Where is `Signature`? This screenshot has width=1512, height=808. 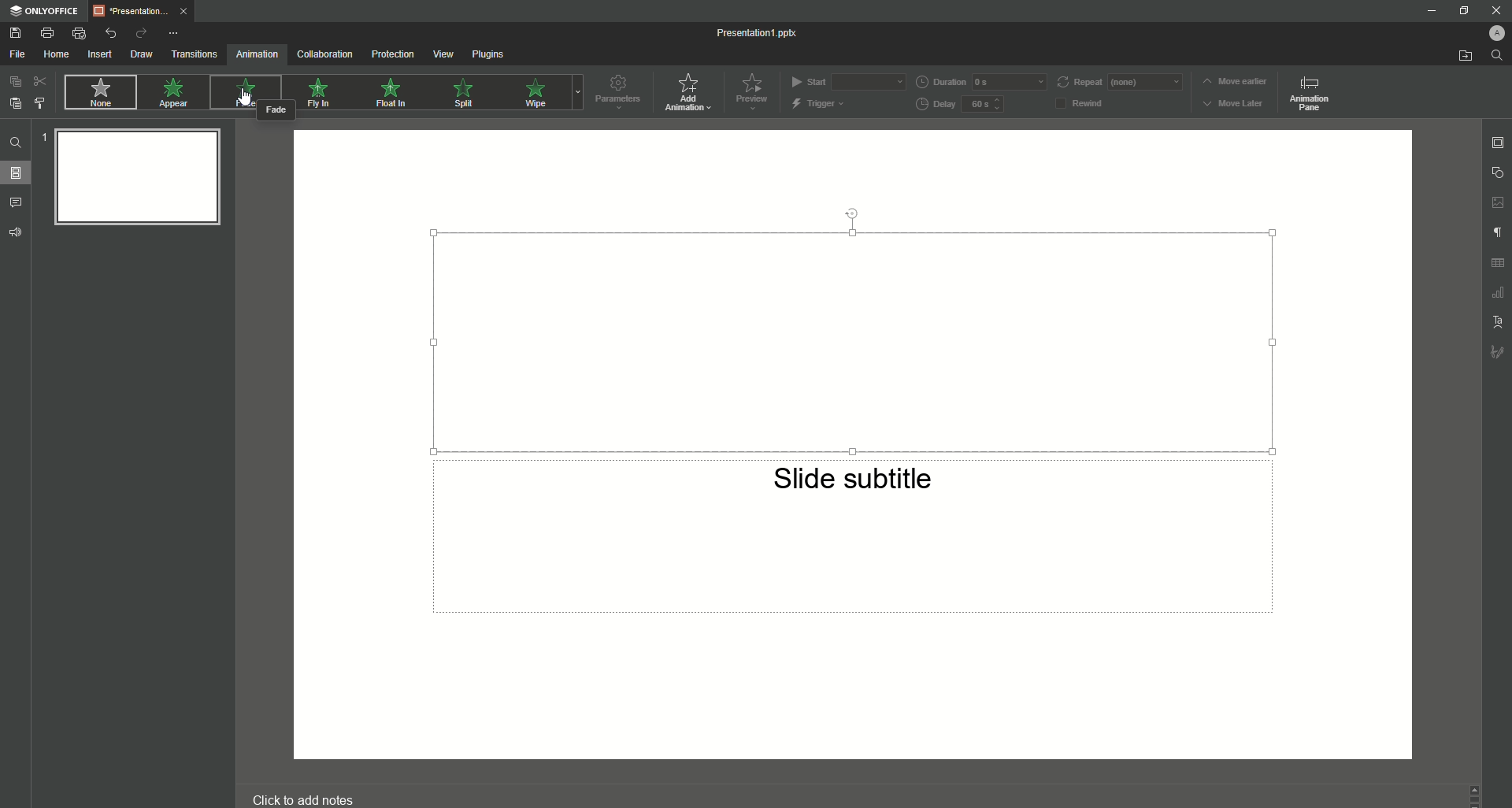
Signature is located at coordinates (1495, 354).